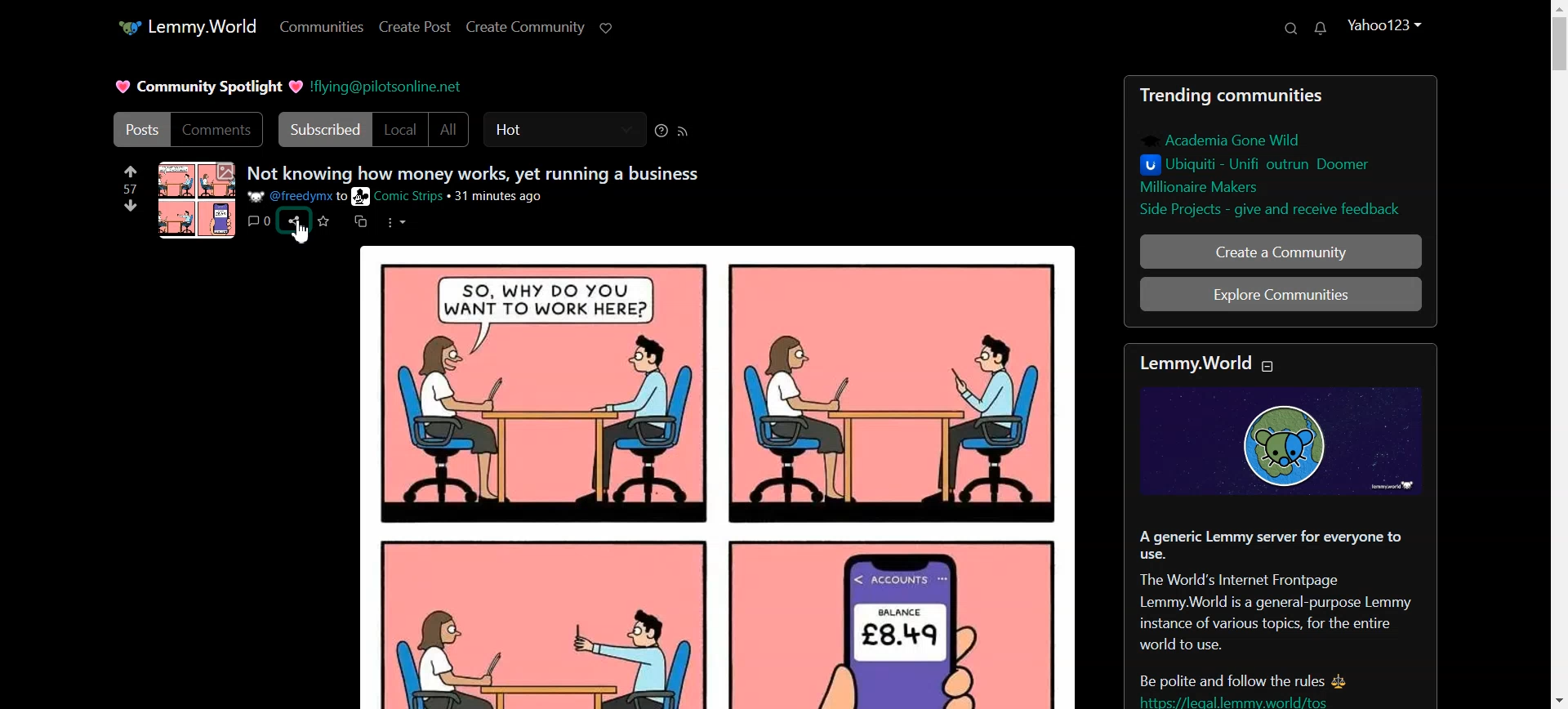  Describe the element at coordinates (321, 26) in the screenshot. I see `Communities` at that location.